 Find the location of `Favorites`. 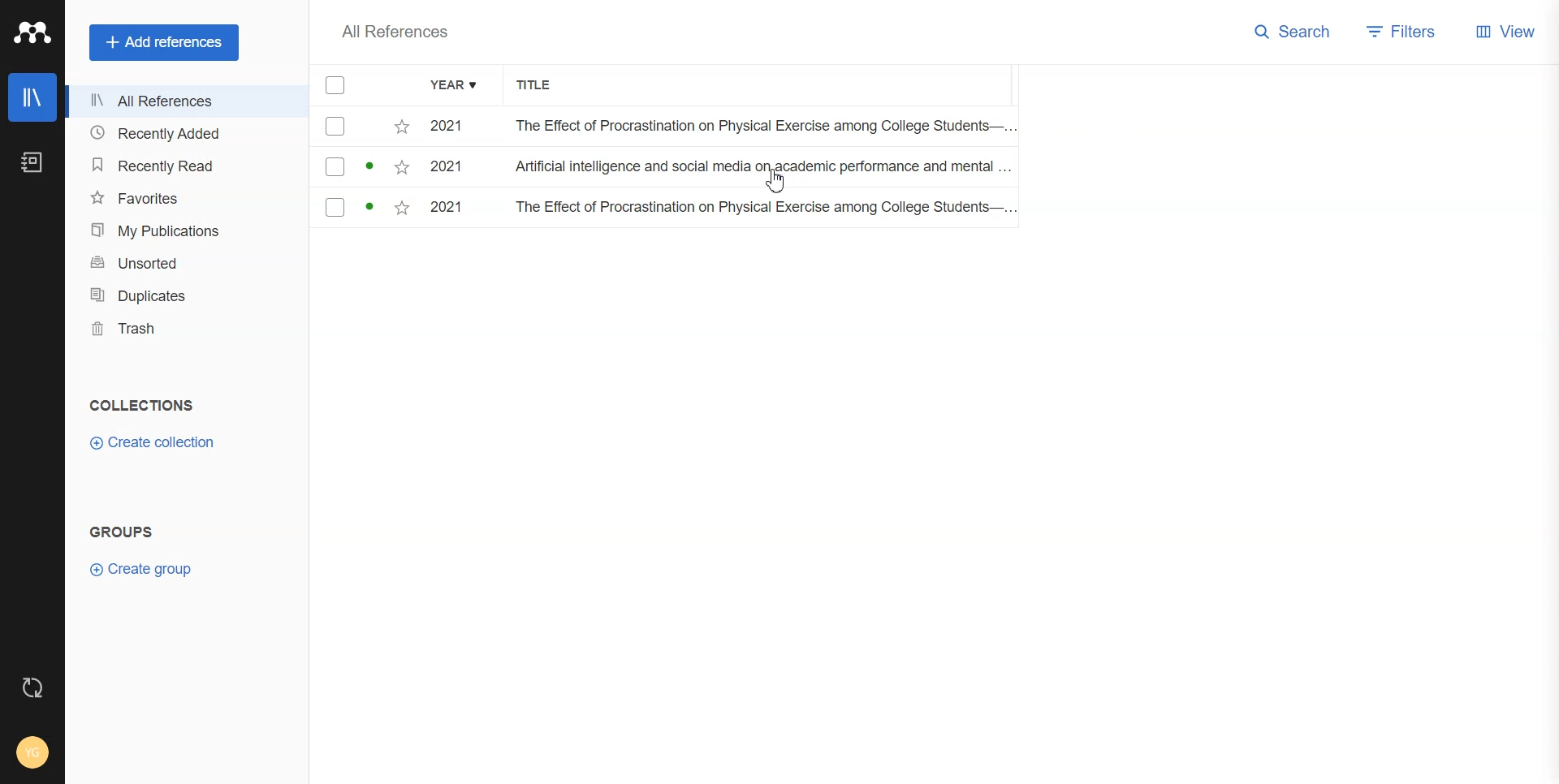

Favorites is located at coordinates (185, 197).